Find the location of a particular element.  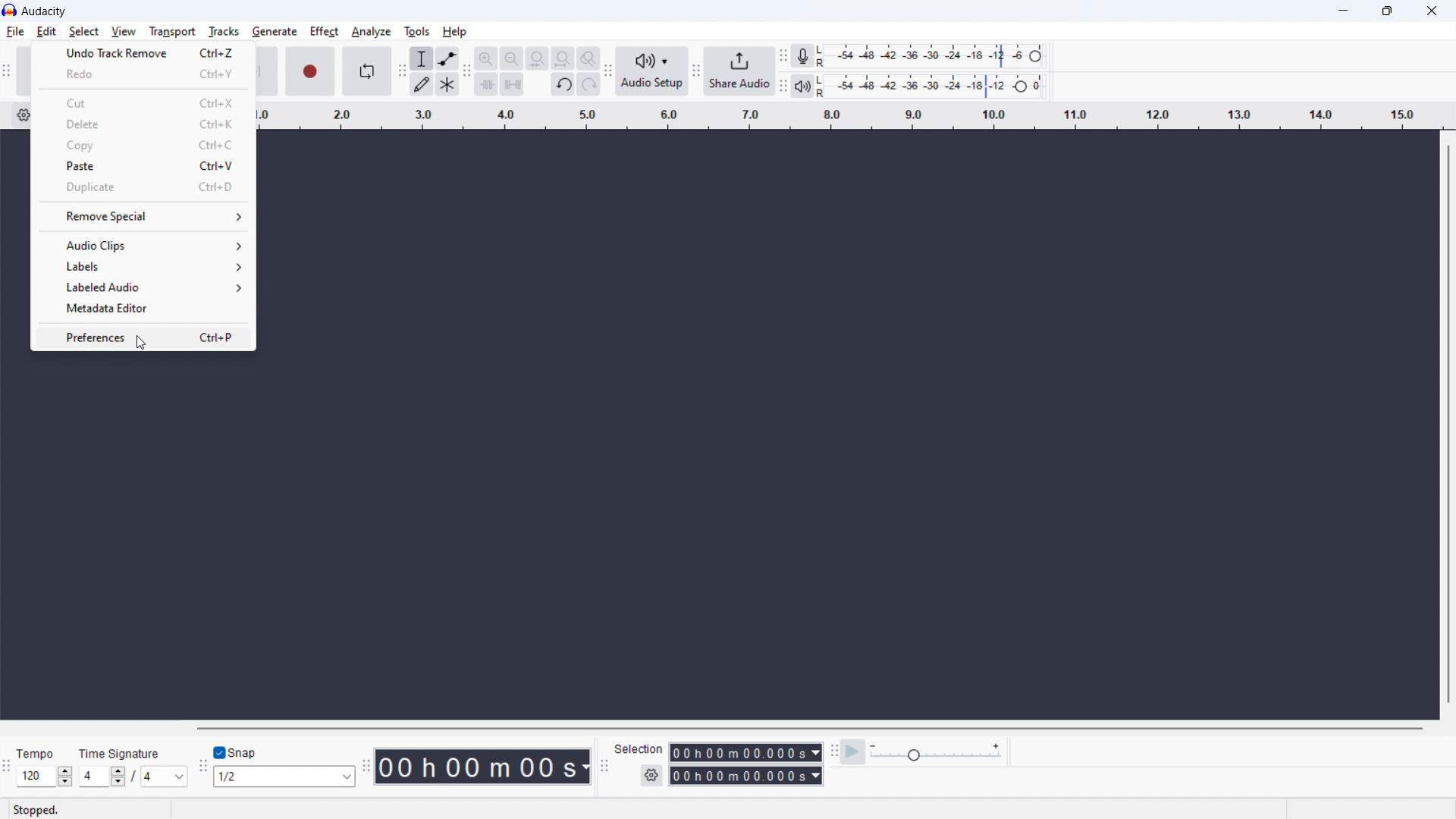

help is located at coordinates (455, 31).